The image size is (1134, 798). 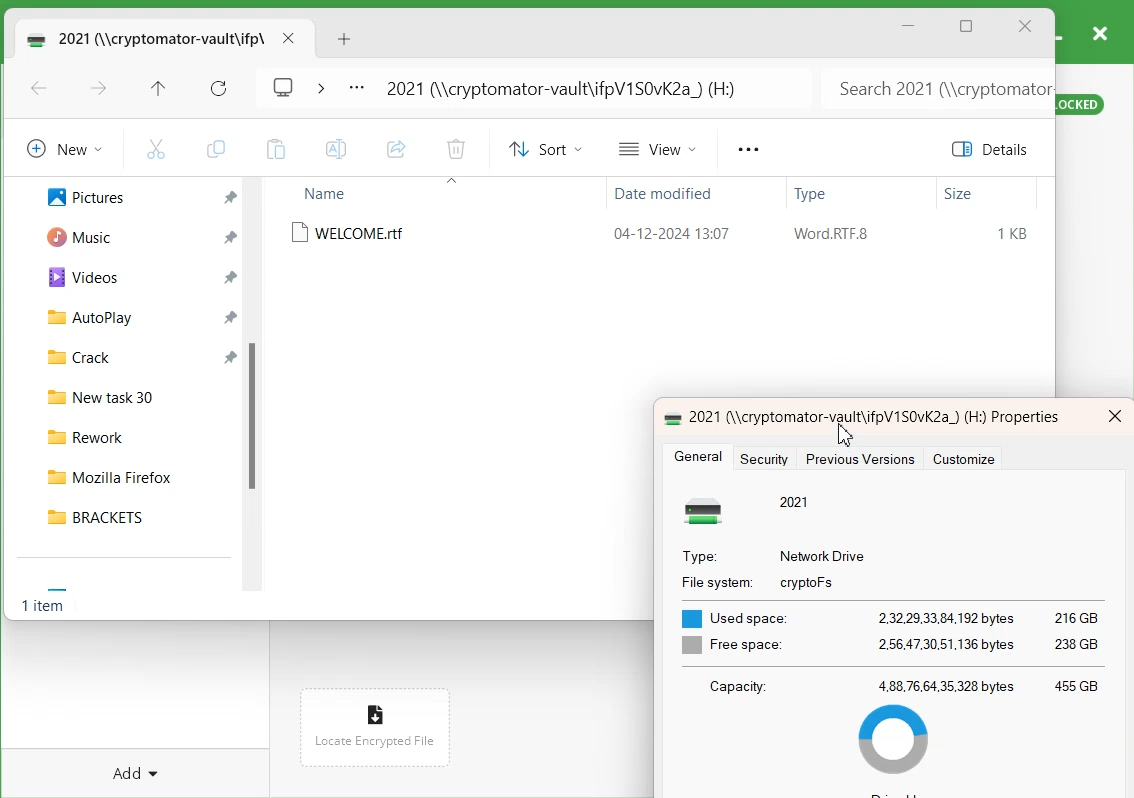 I want to click on Logo, so click(x=284, y=85).